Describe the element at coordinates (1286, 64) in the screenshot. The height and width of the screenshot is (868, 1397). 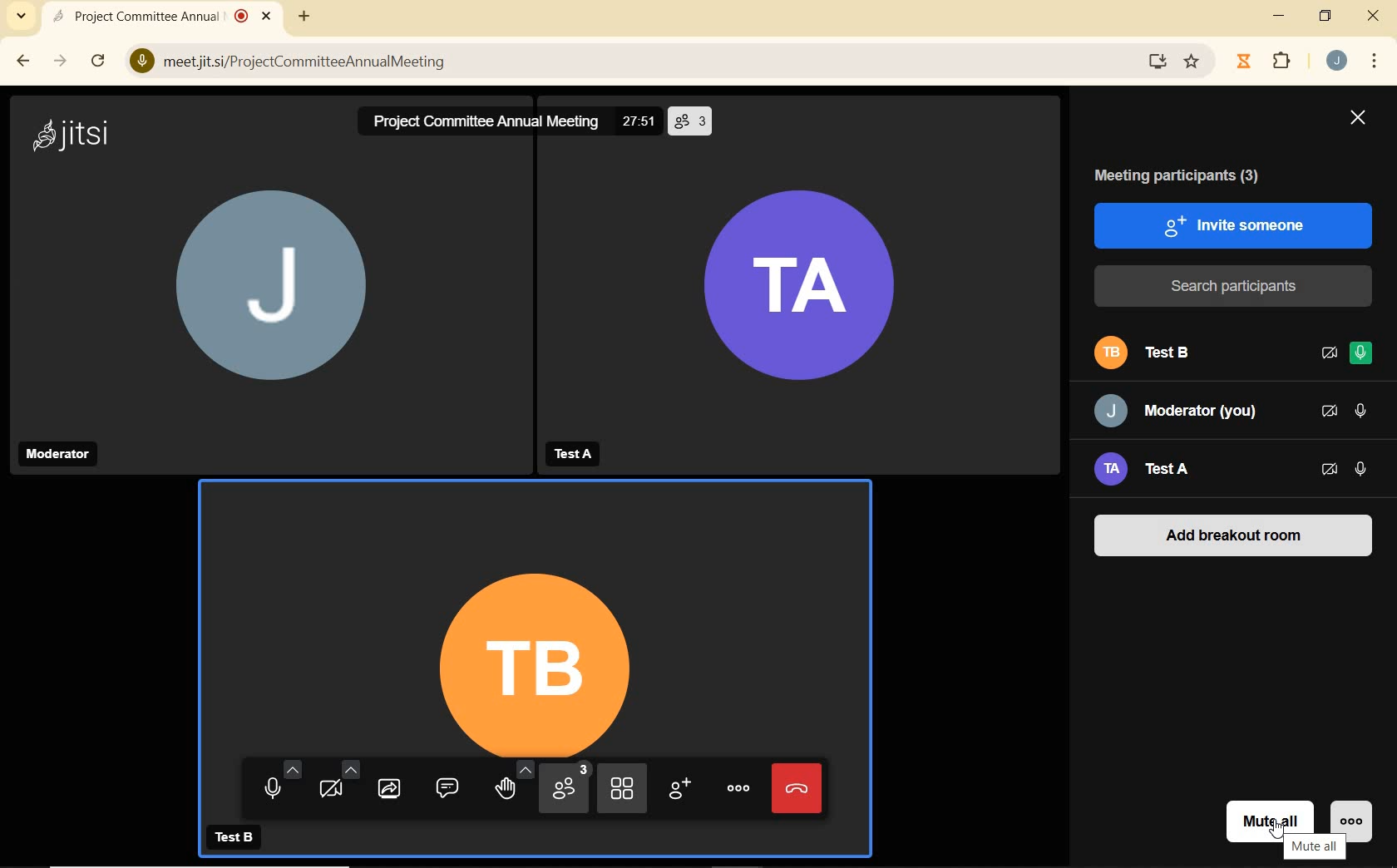
I see `EXTENSIONS` at that location.